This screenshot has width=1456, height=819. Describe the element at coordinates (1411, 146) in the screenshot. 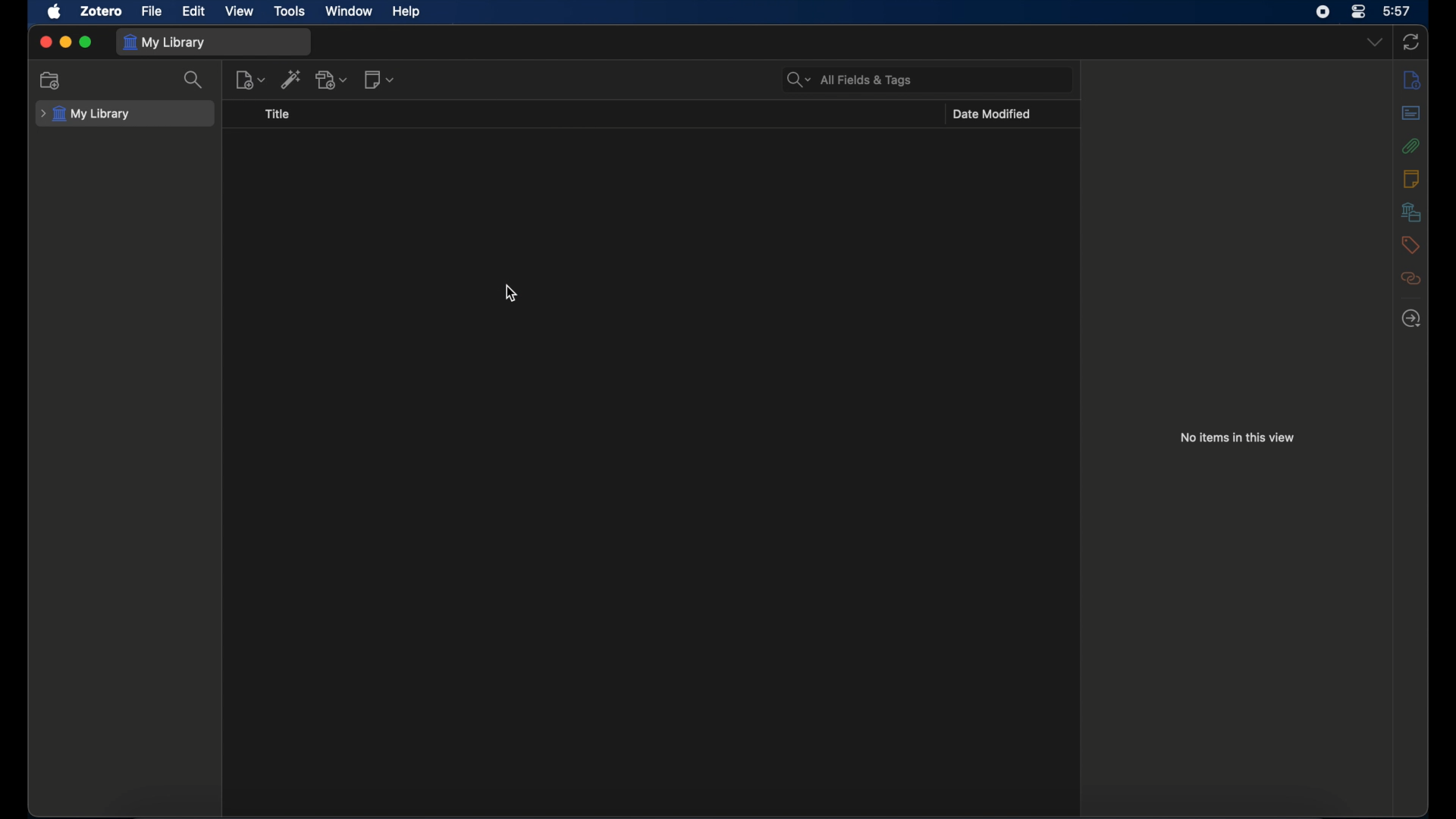

I see `attachments` at that location.